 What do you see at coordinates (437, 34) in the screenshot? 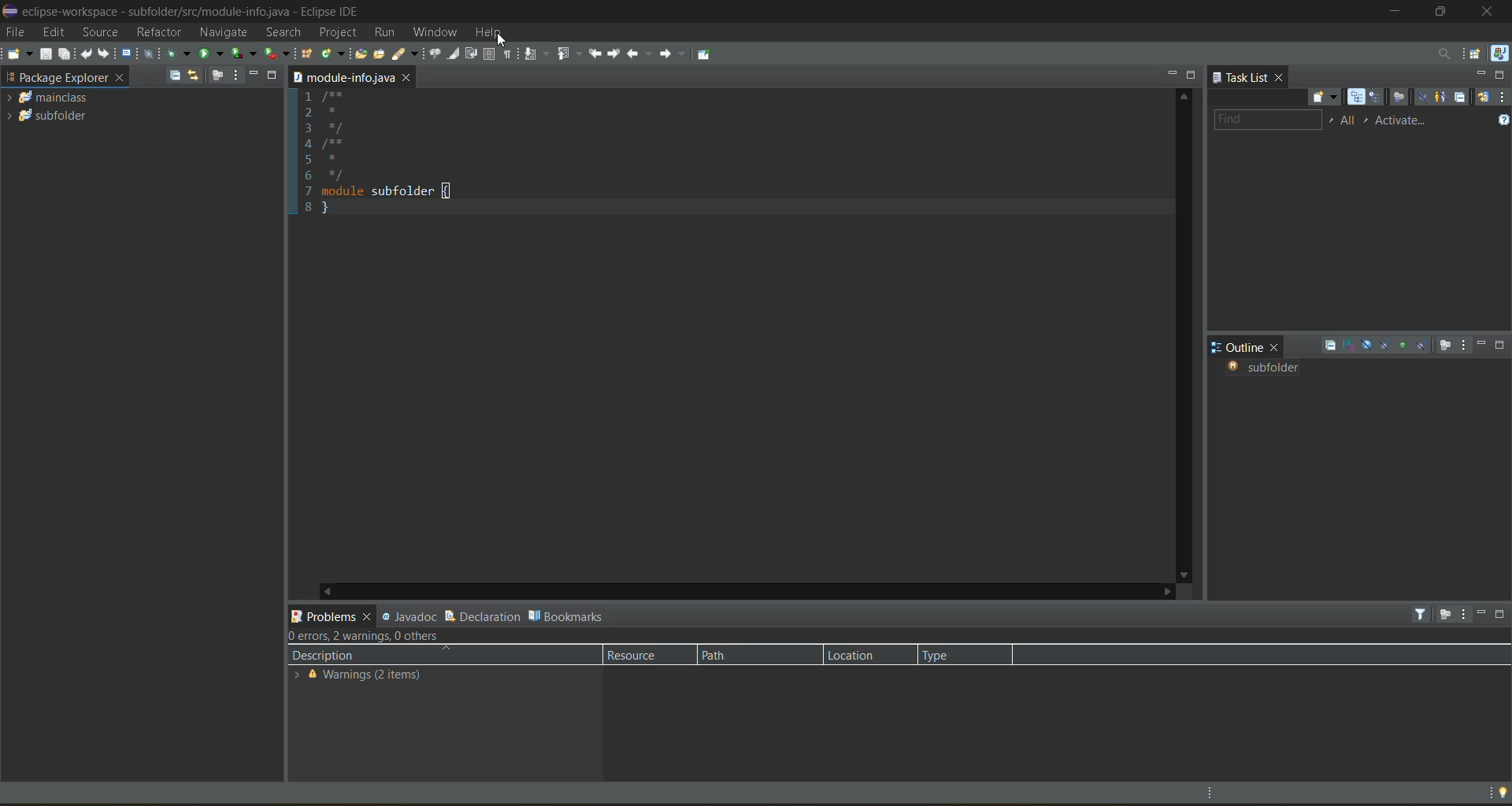
I see `window` at bounding box center [437, 34].